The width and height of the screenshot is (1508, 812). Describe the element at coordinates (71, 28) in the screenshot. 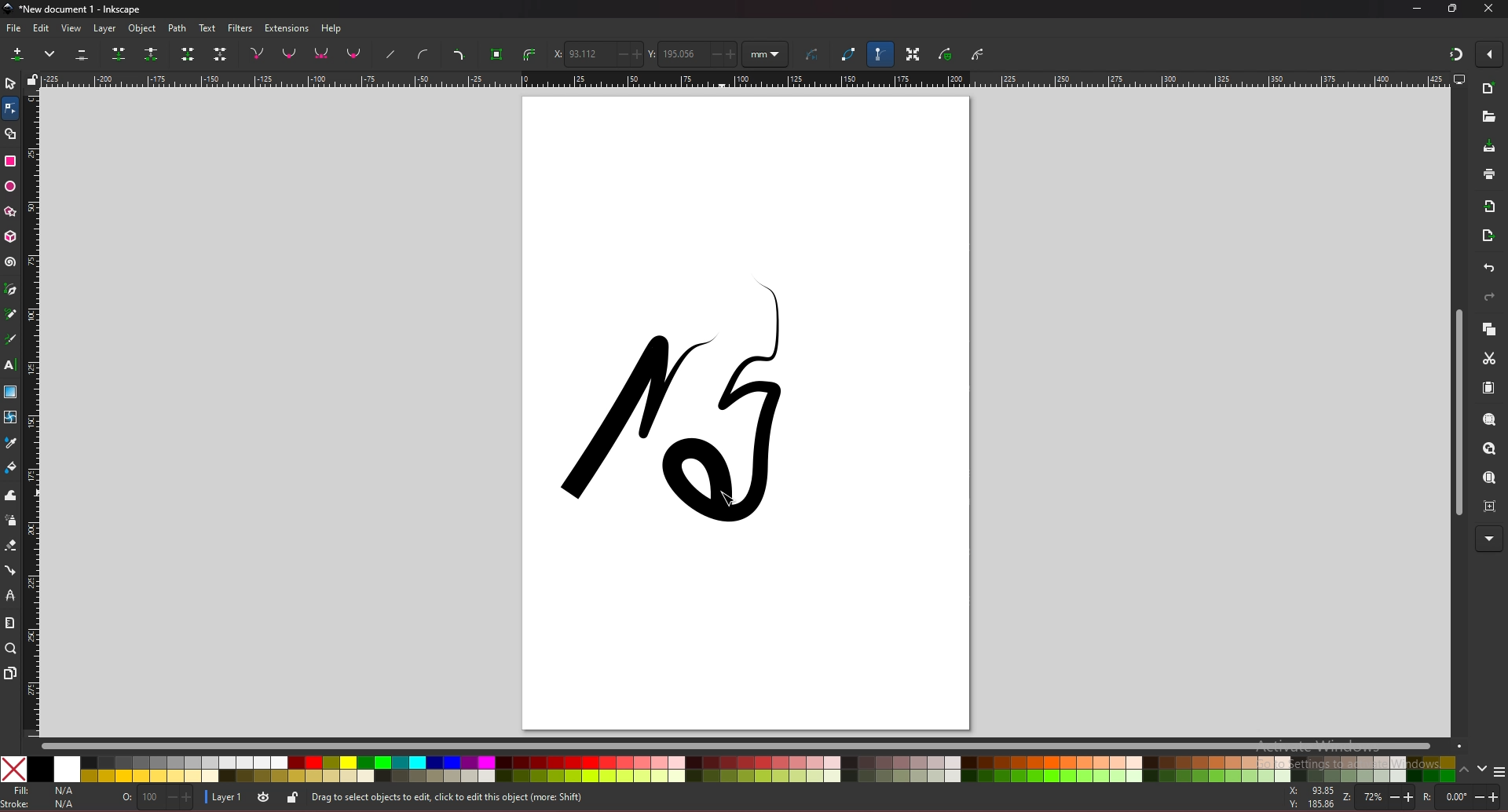

I see `view` at that location.